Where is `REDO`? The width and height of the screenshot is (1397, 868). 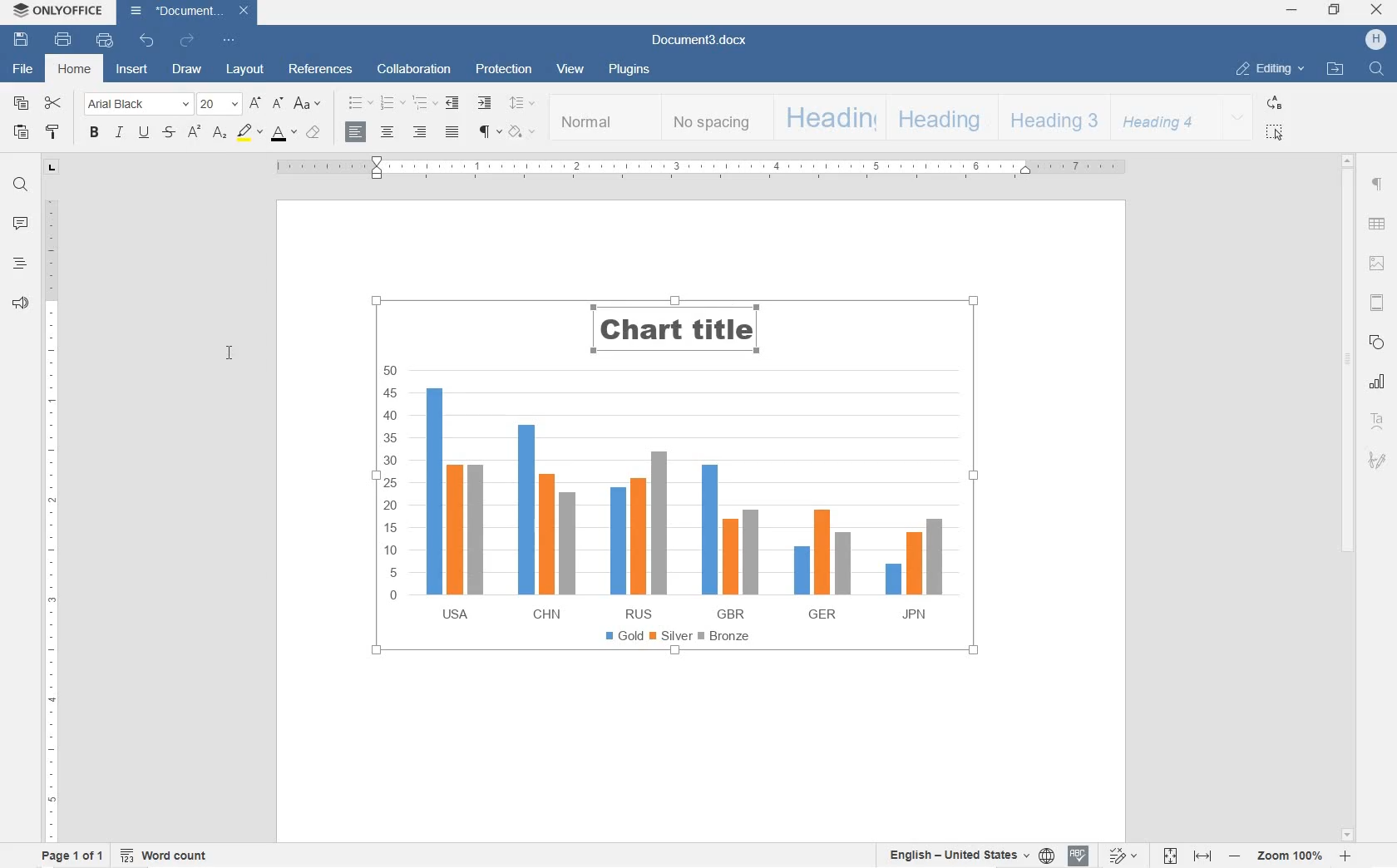 REDO is located at coordinates (188, 40).